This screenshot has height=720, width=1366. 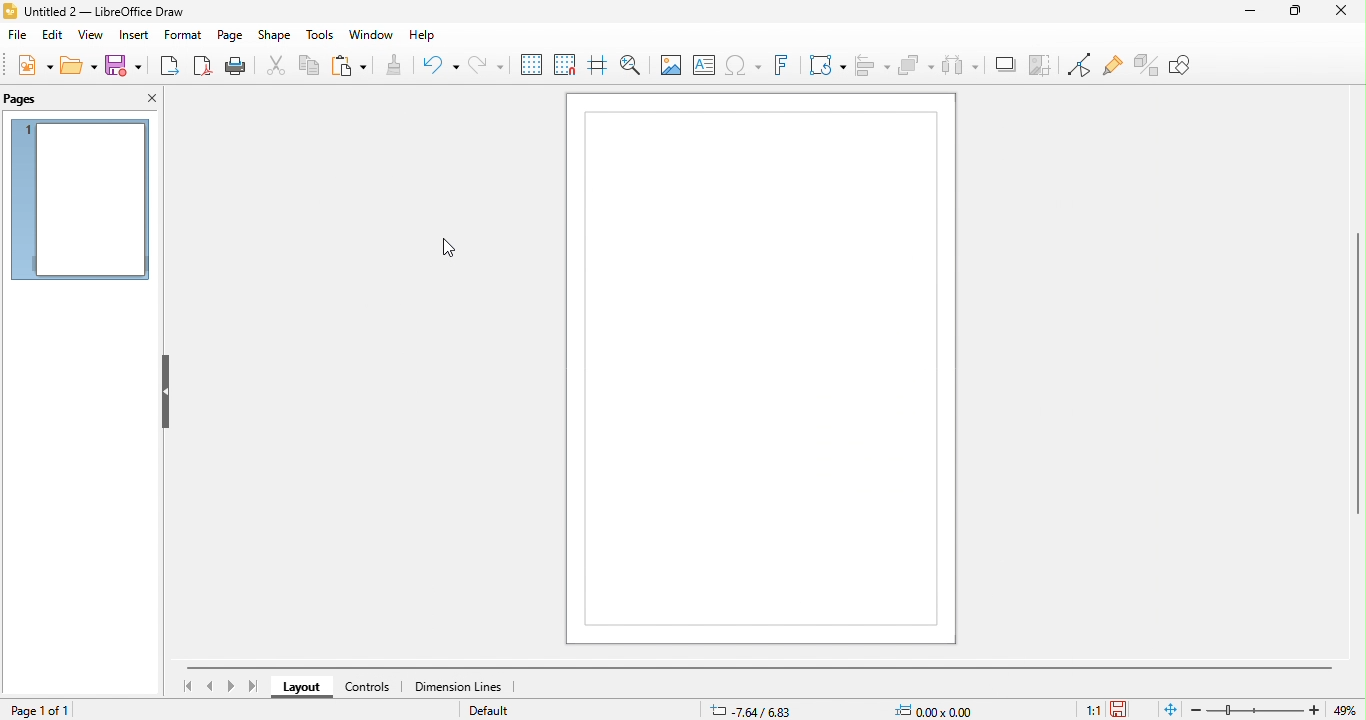 What do you see at coordinates (595, 65) in the screenshot?
I see `helplines while moving` at bounding box center [595, 65].